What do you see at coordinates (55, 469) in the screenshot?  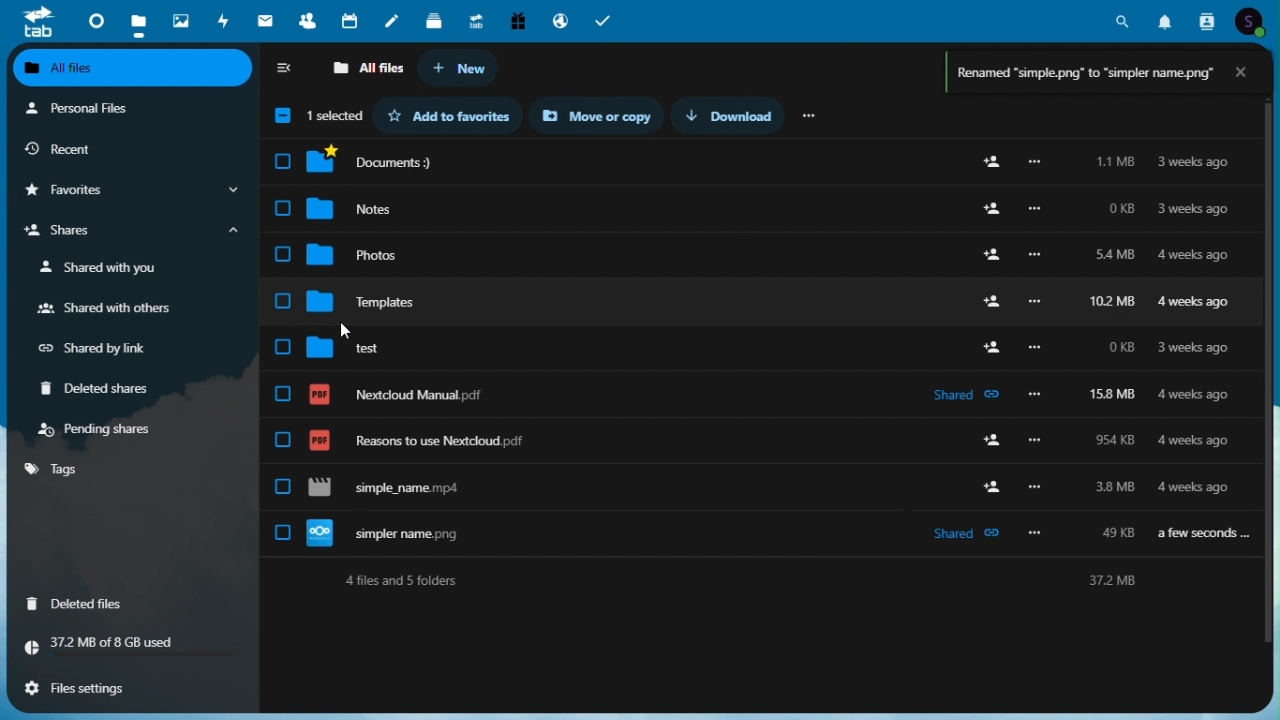 I see `tags` at bounding box center [55, 469].